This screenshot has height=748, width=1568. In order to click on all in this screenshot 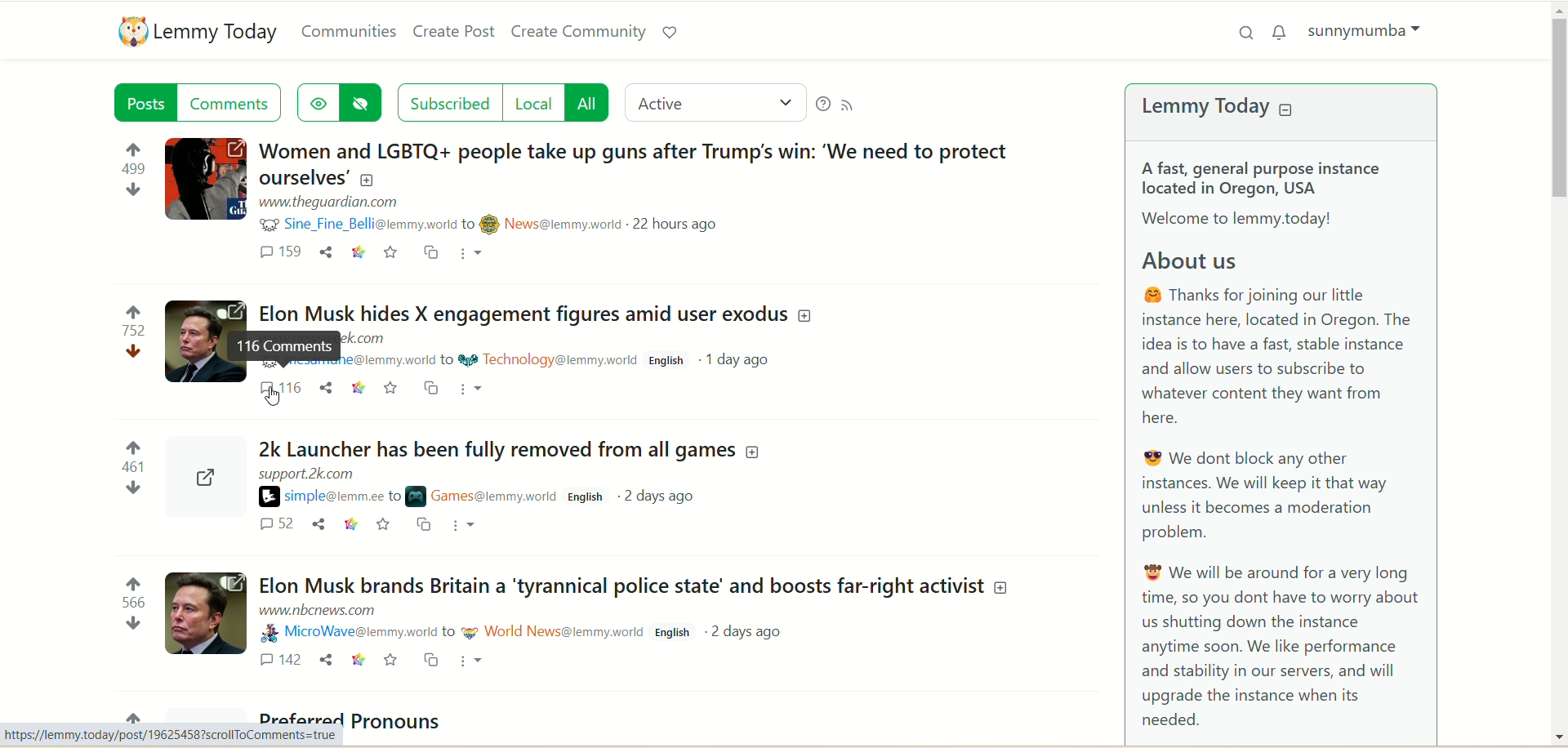, I will do `click(587, 103)`.